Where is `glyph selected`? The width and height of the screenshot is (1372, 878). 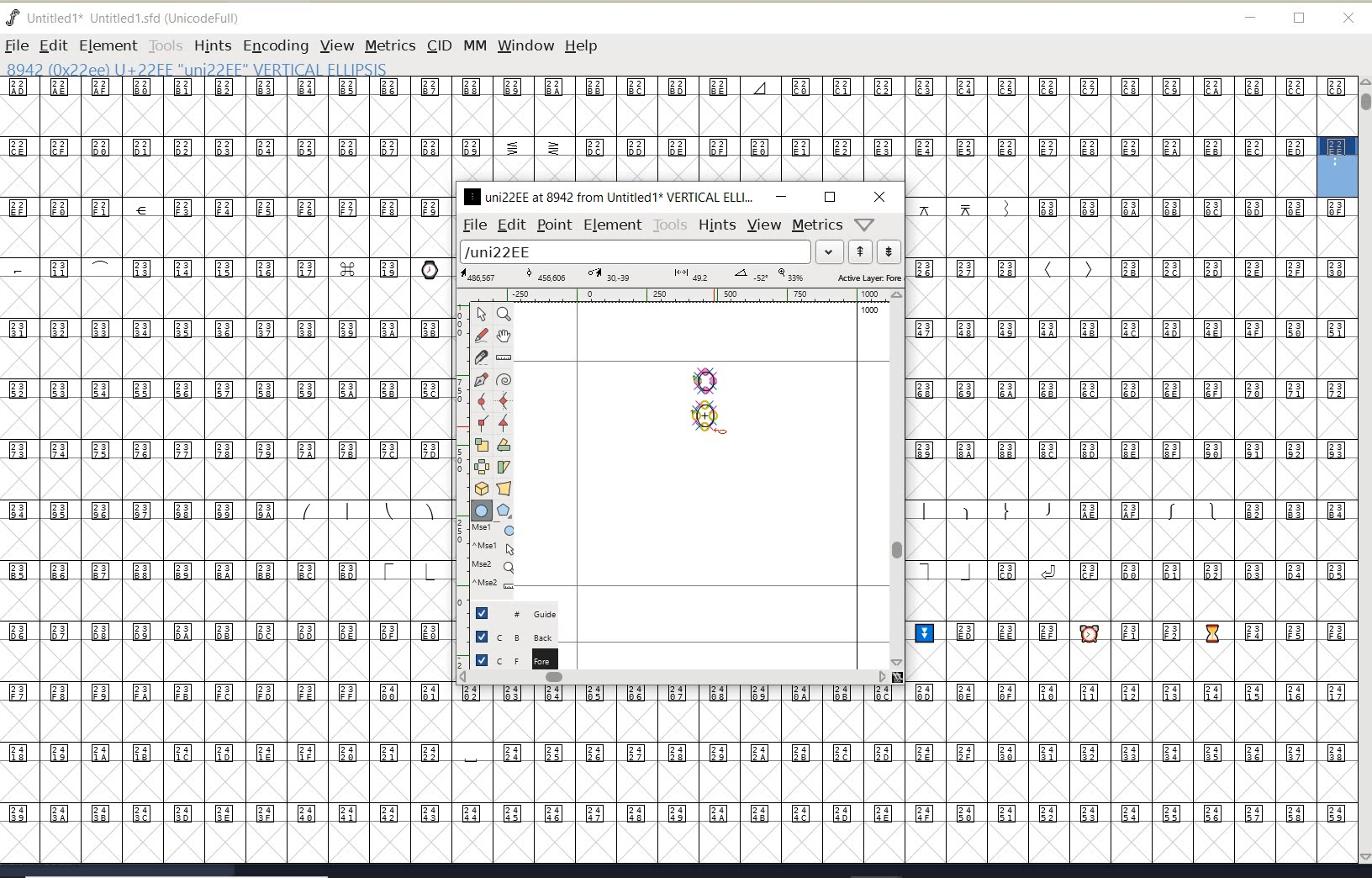
glyph selected is located at coordinates (1338, 167).